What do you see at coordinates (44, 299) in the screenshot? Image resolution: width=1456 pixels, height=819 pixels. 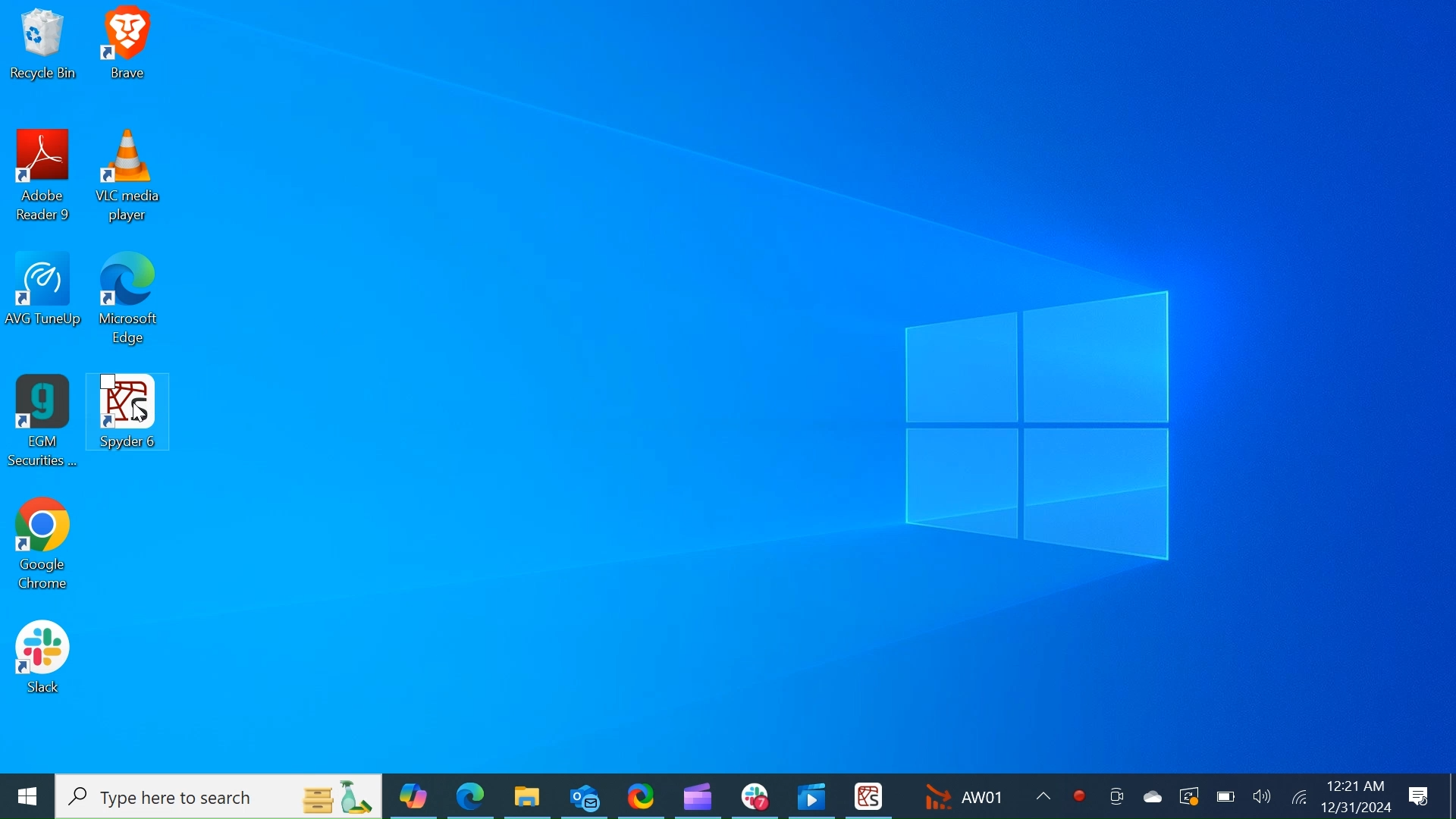 I see `AVG TuneUp Desktop Icon` at bounding box center [44, 299].